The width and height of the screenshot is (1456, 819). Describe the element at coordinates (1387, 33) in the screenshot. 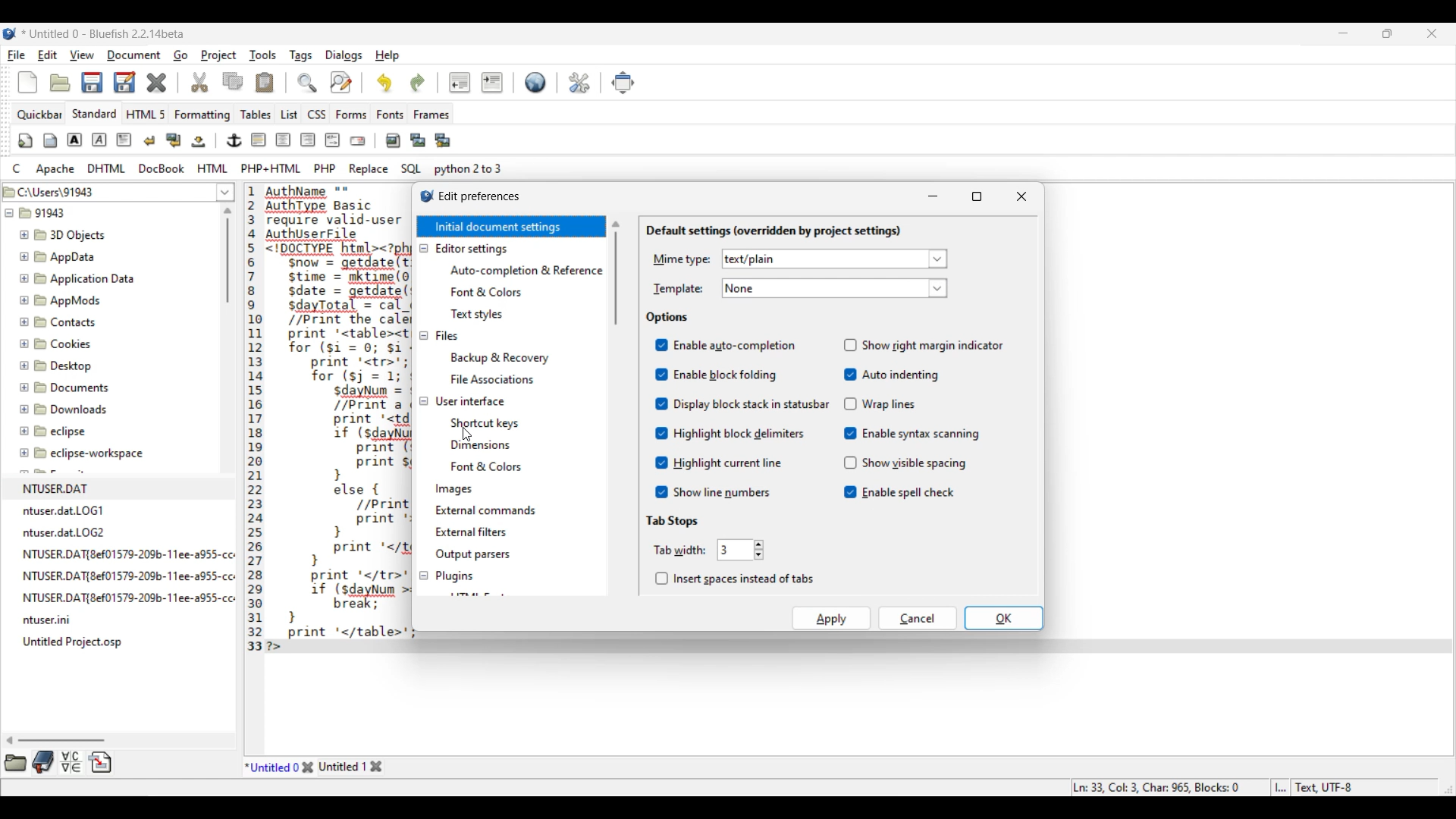

I see `Show in smaller tab` at that location.